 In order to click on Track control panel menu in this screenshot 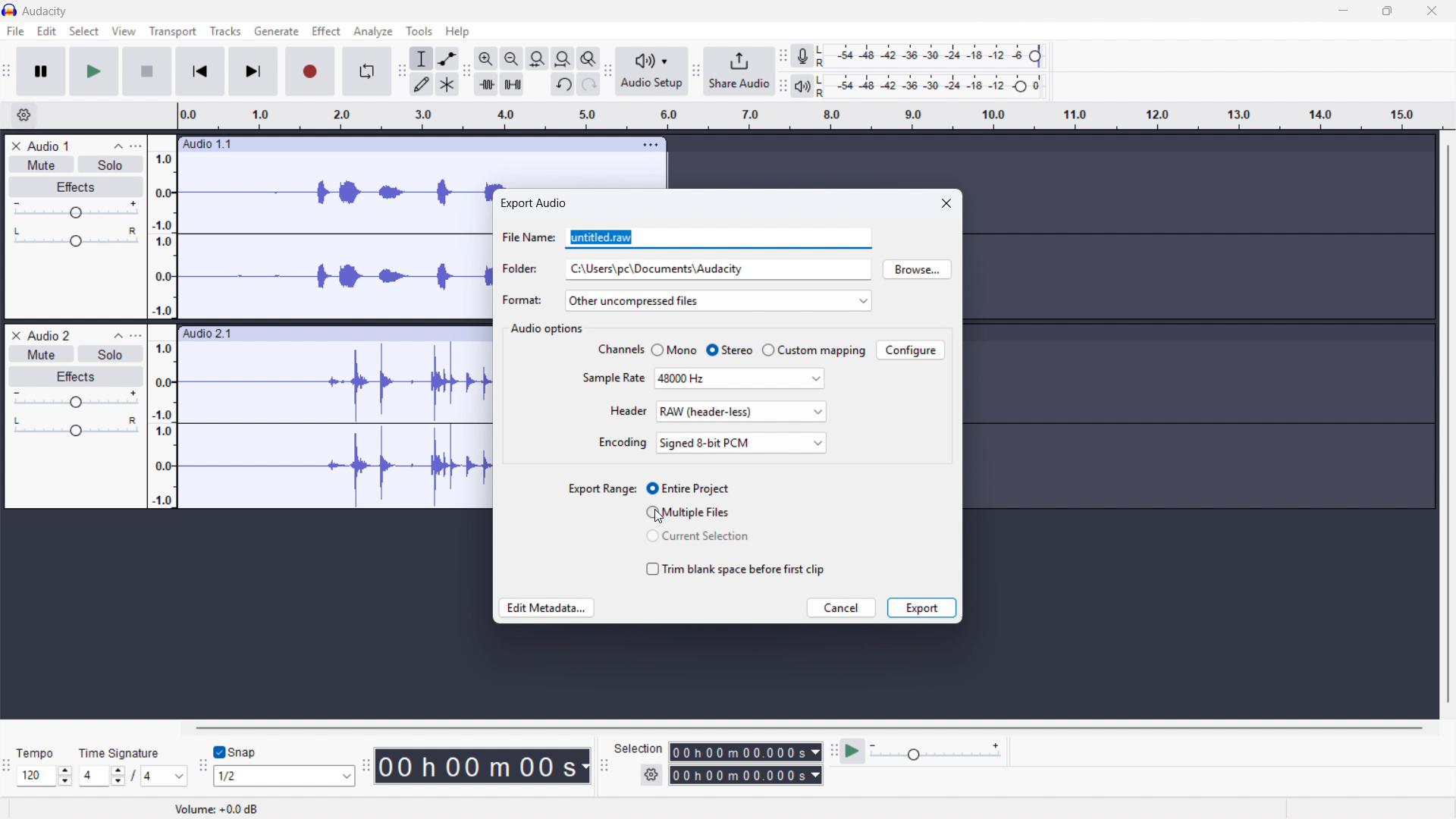, I will do `click(136, 335)`.